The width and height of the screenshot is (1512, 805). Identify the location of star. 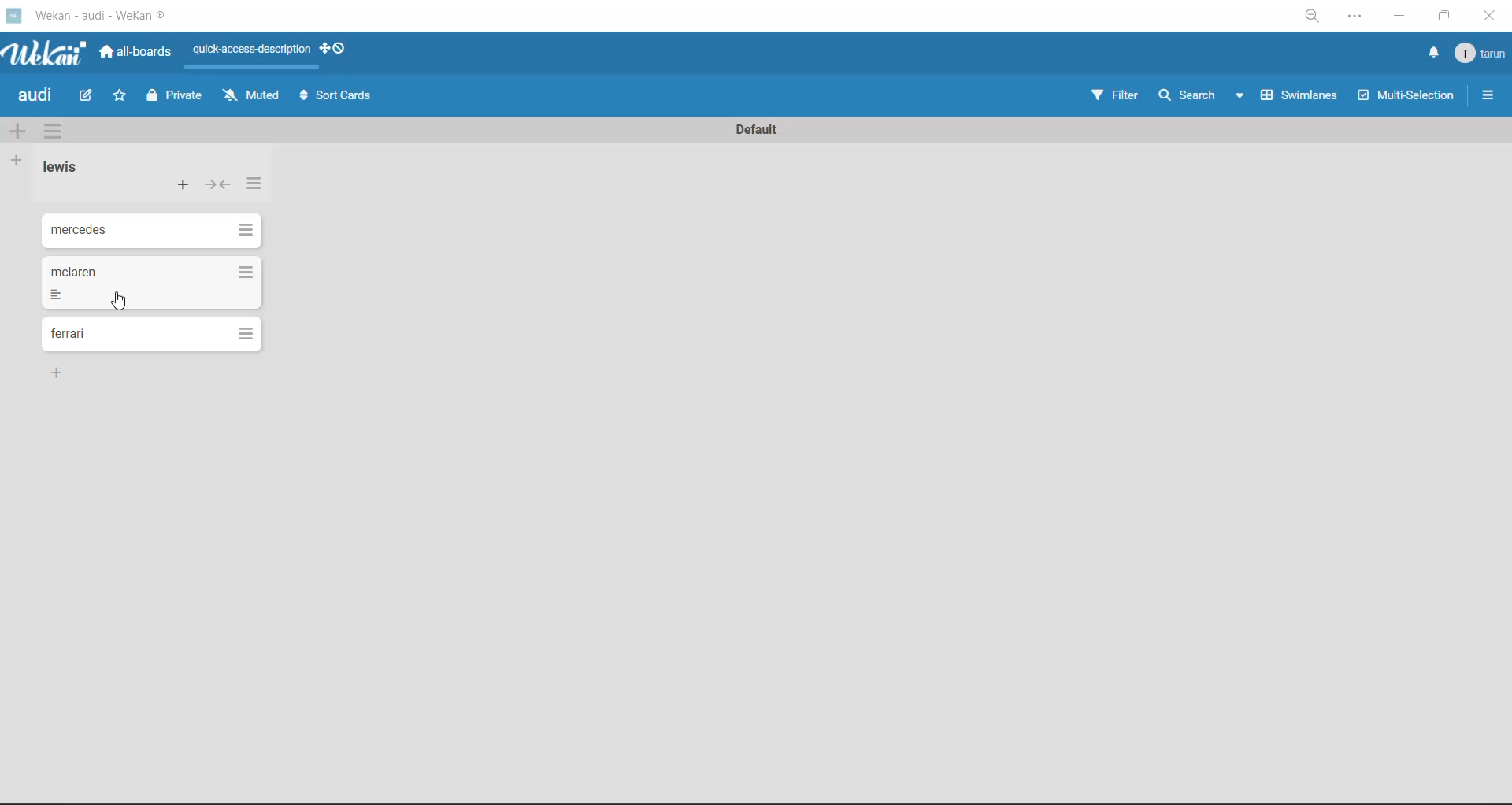
(117, 97).